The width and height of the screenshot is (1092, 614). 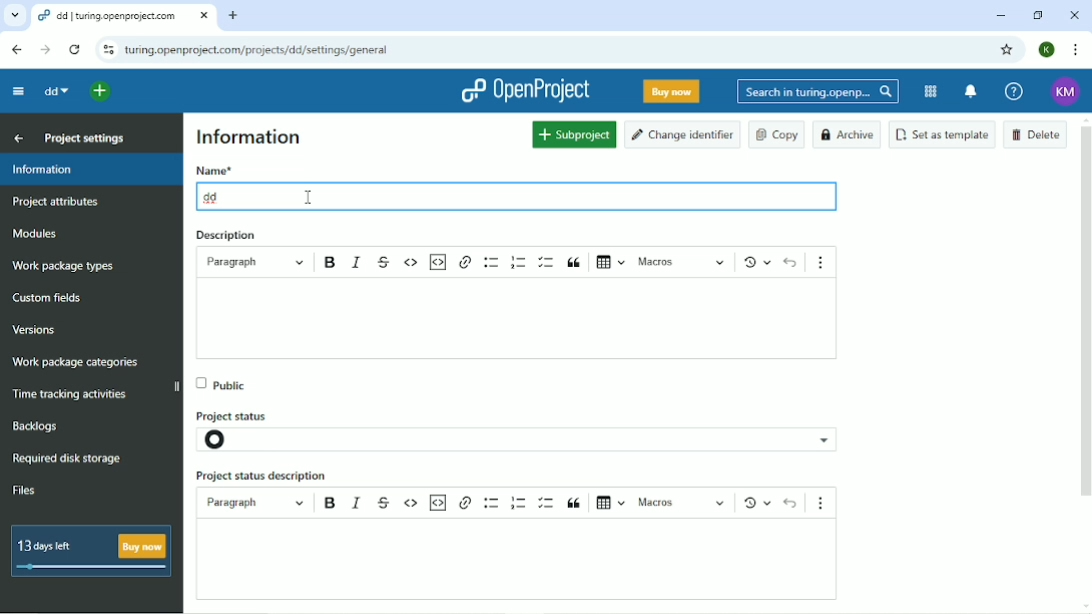 I want to click on Project status description, so click(x=263, y=476).